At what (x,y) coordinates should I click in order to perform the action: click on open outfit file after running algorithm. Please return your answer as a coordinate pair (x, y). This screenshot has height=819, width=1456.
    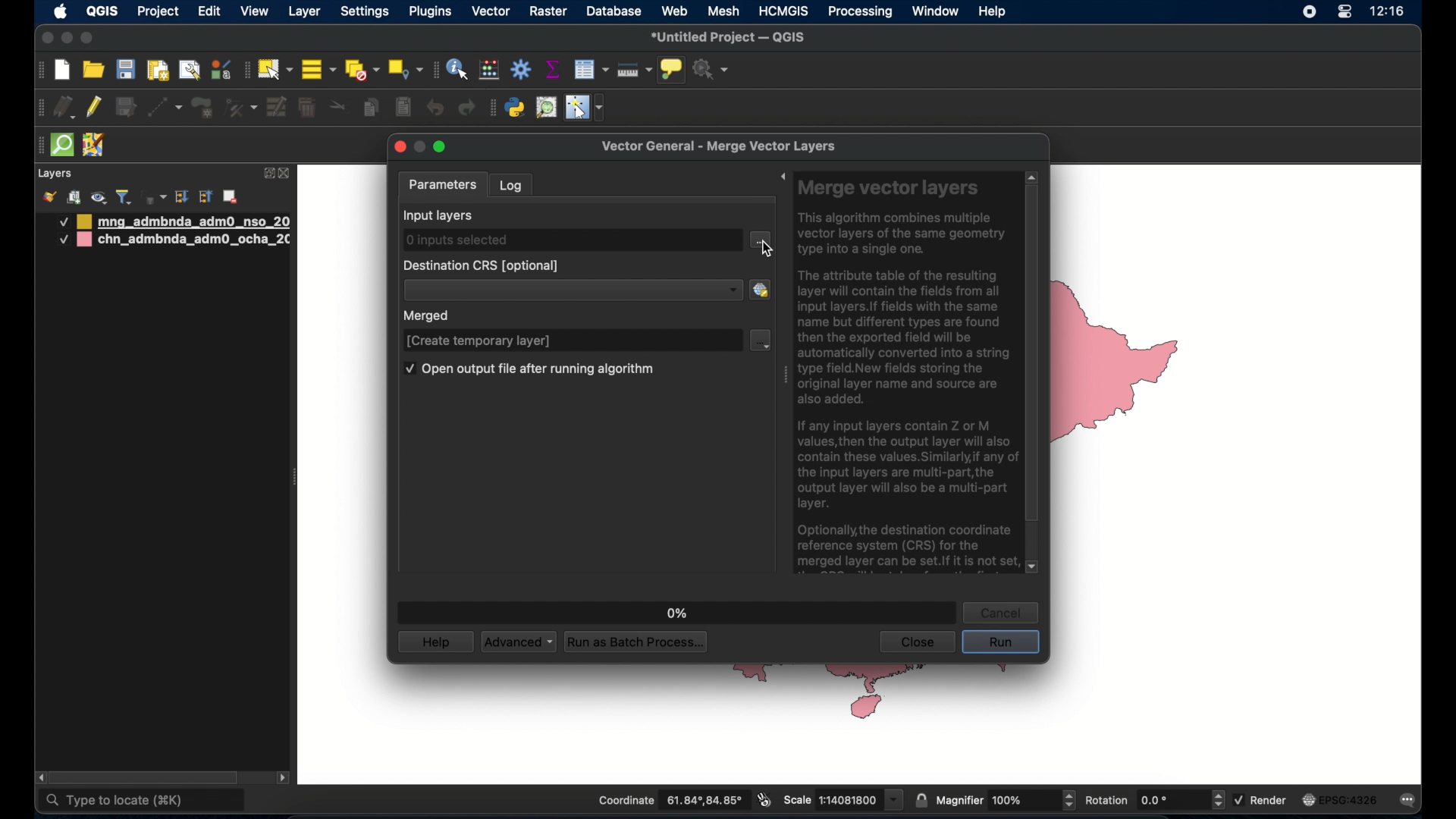
    Looking at the image, I should click on (529, 371).